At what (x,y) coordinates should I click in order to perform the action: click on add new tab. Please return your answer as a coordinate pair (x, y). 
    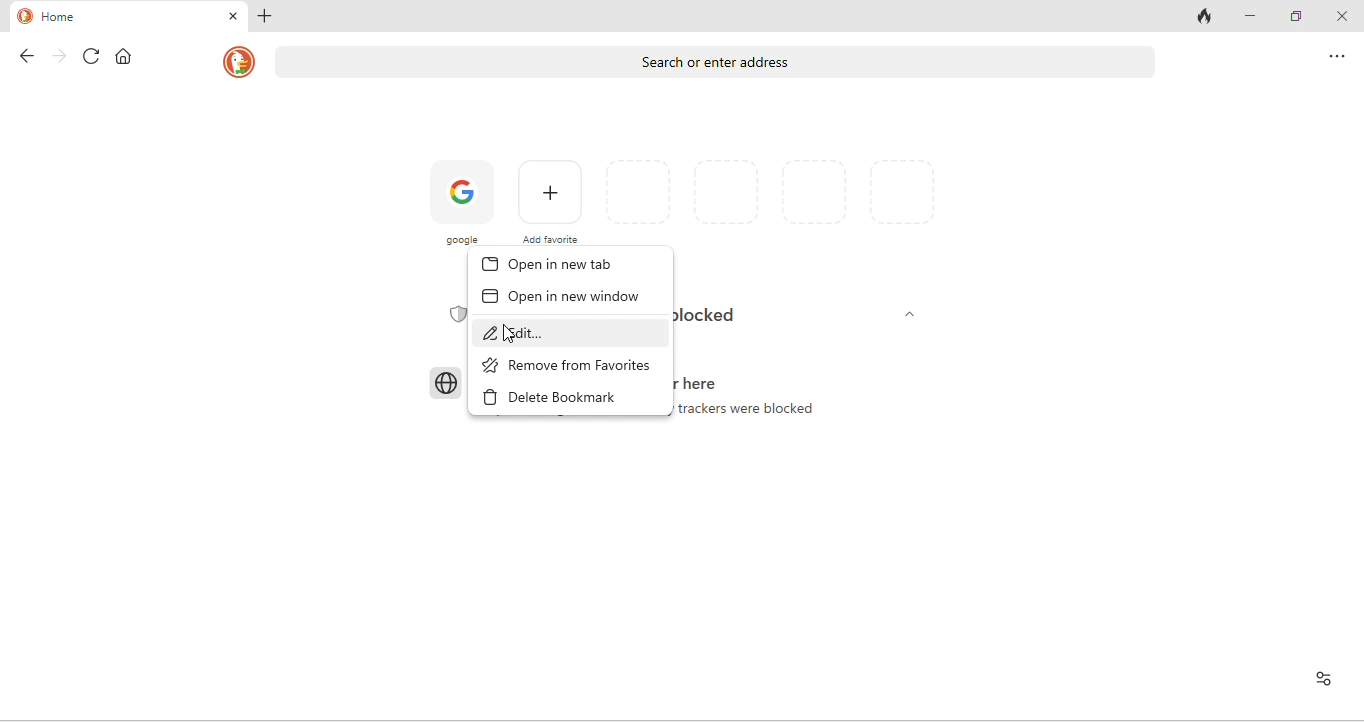
    Looking at the image, I should click on (268, 17).